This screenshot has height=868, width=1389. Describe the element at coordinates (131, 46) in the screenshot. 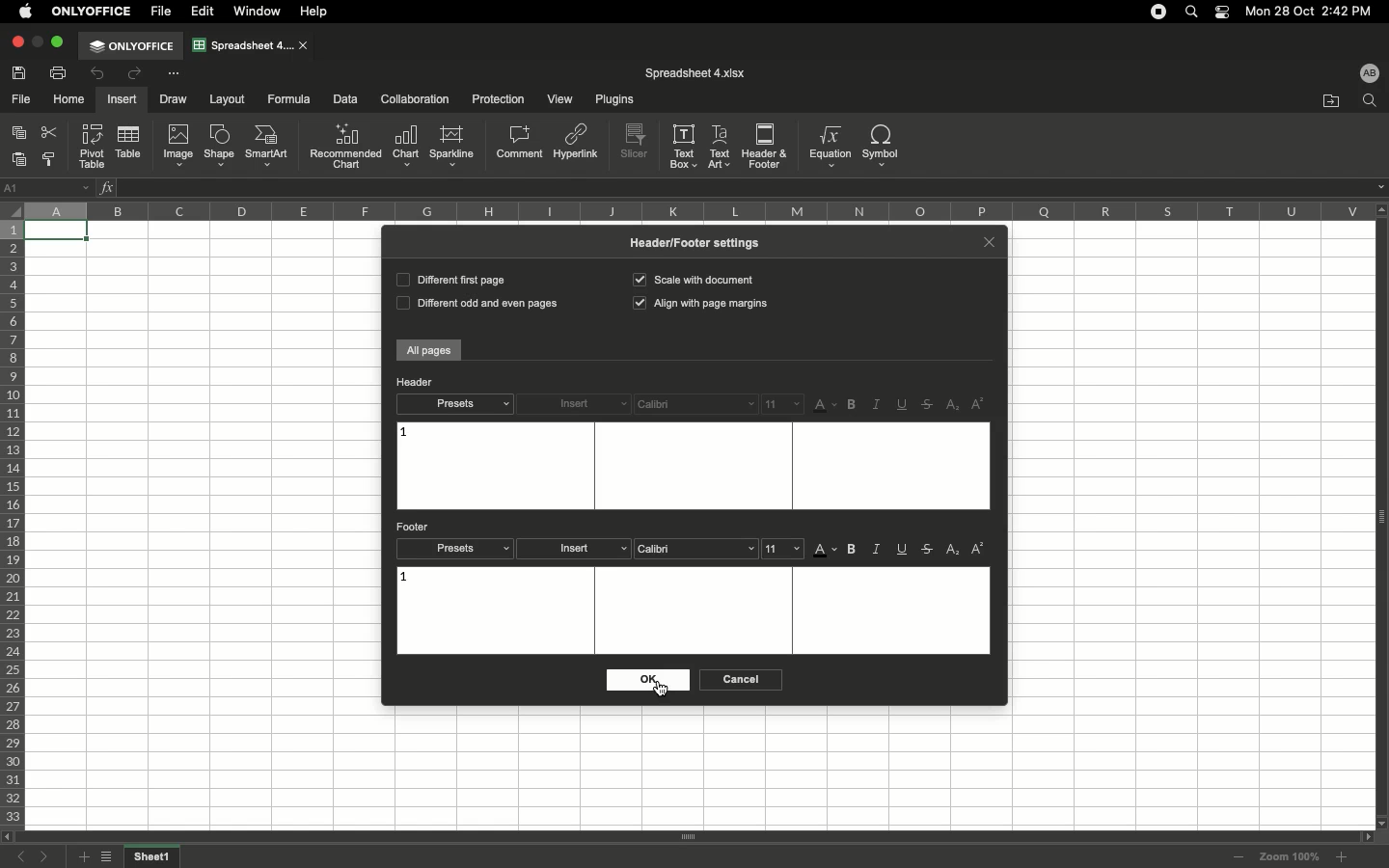

I see `OnlyOffice tab` at that location.